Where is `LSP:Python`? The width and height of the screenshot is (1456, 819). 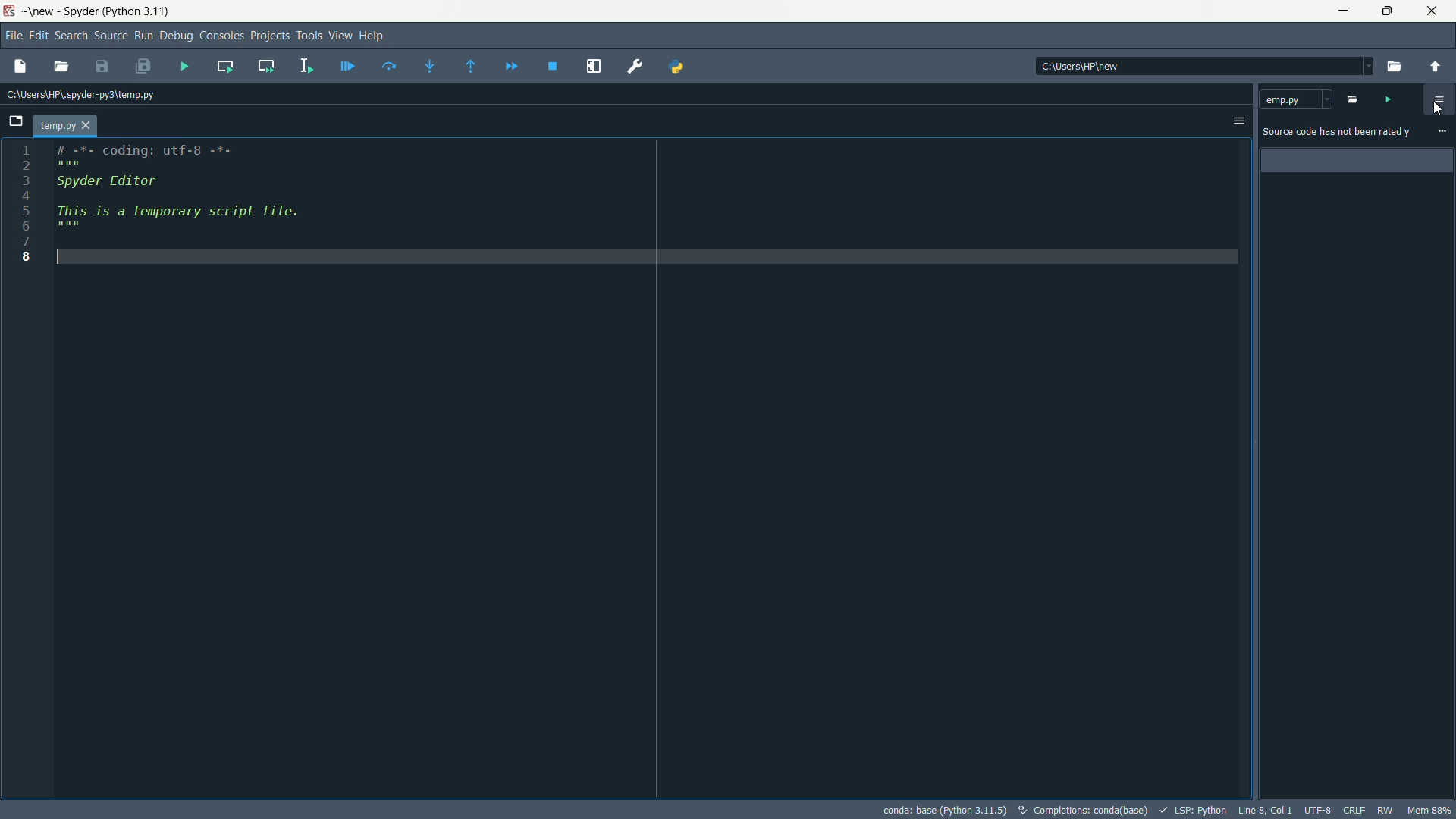
LSP:Python is located at coordinates (1194, 810).